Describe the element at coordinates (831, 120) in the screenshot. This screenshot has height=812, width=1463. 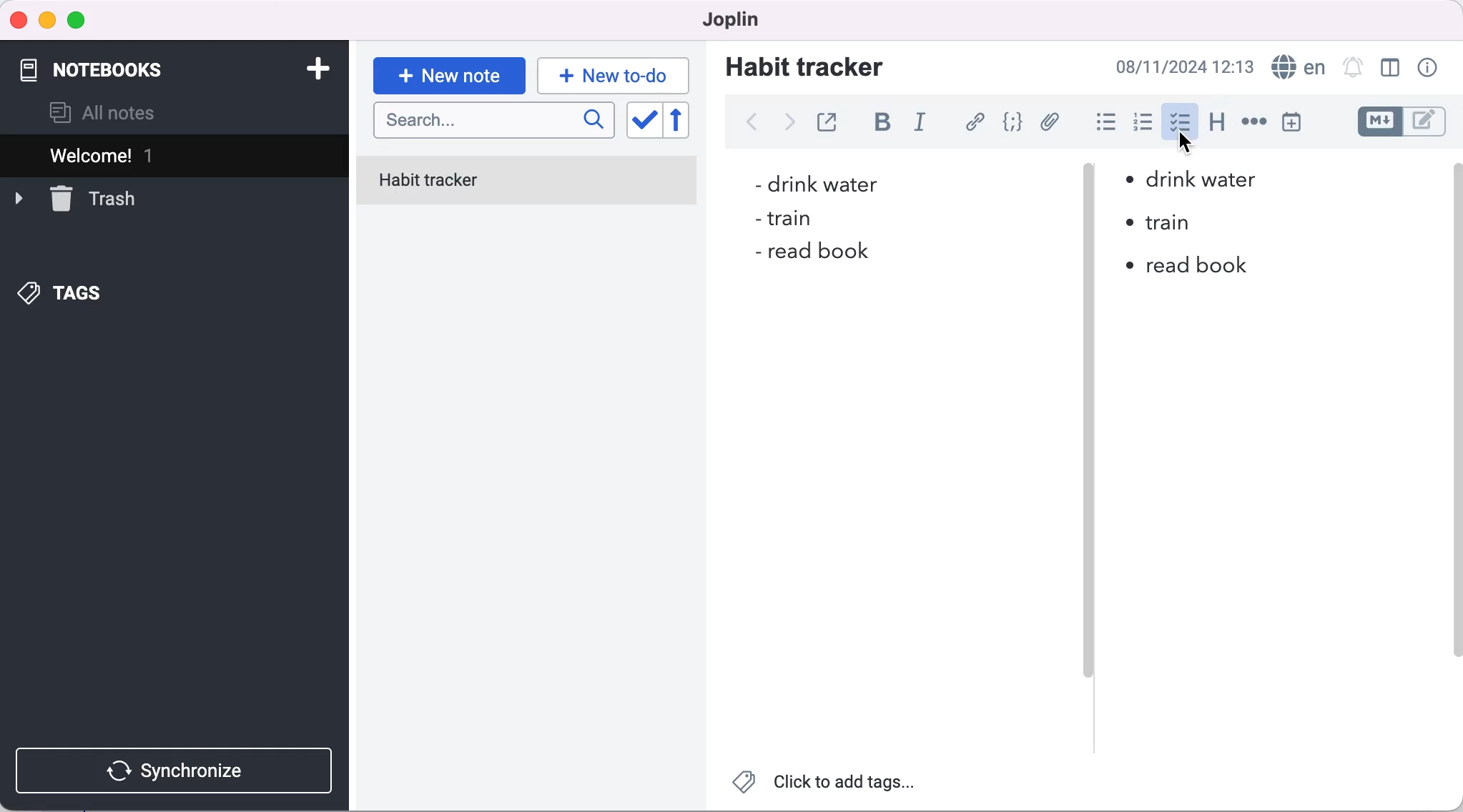
I see `toggle external editing` at that location.